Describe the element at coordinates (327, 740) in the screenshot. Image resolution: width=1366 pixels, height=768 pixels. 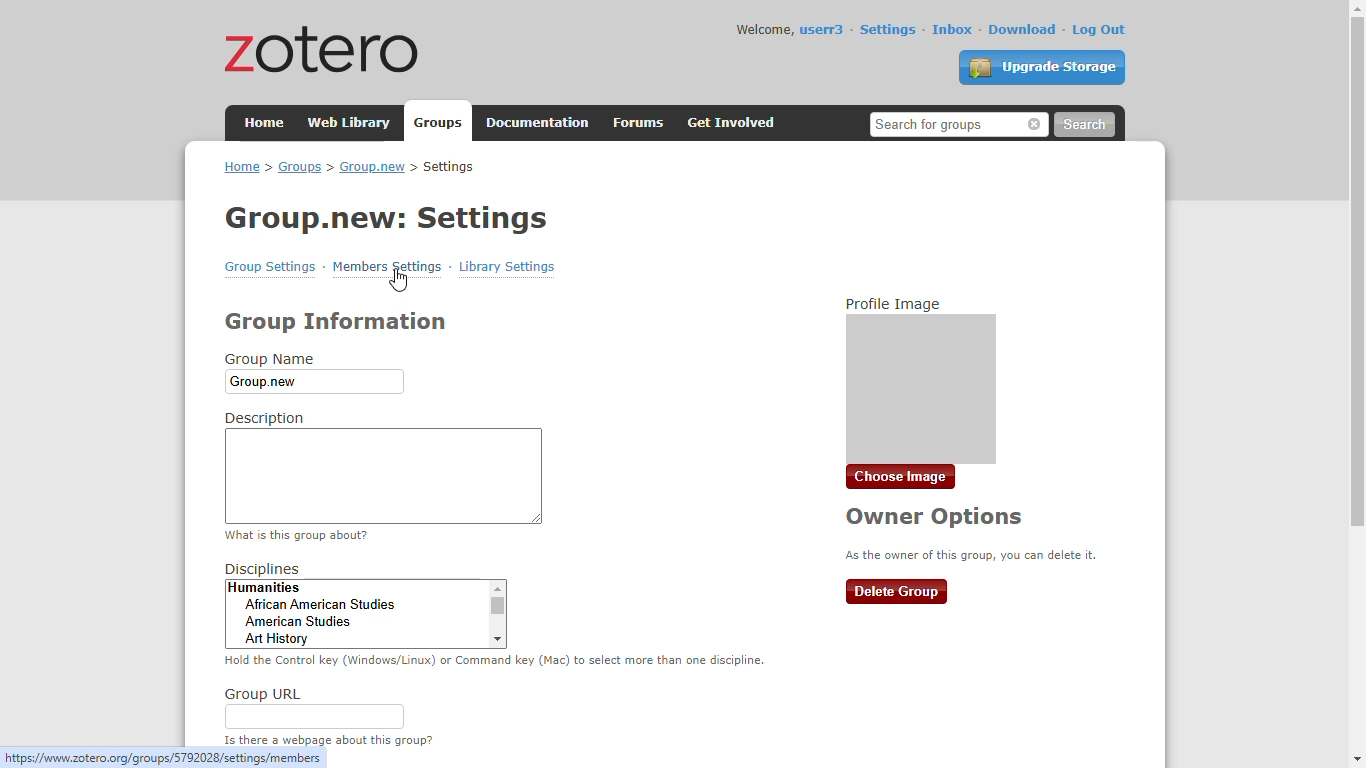
I see `is there a webpage about this group?` at that location.